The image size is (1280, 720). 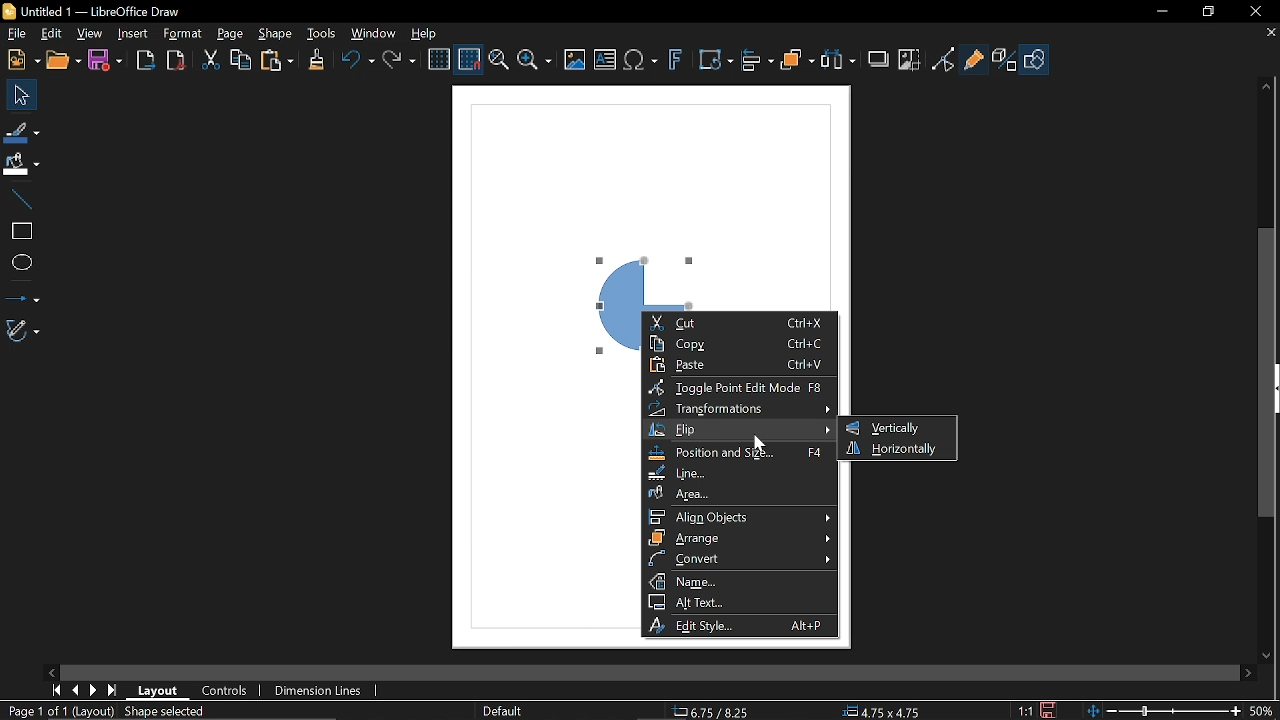 What do you see at coordinates (22, 131) in the screenshot?
I see `Line color` at bounding box center [22, 131].